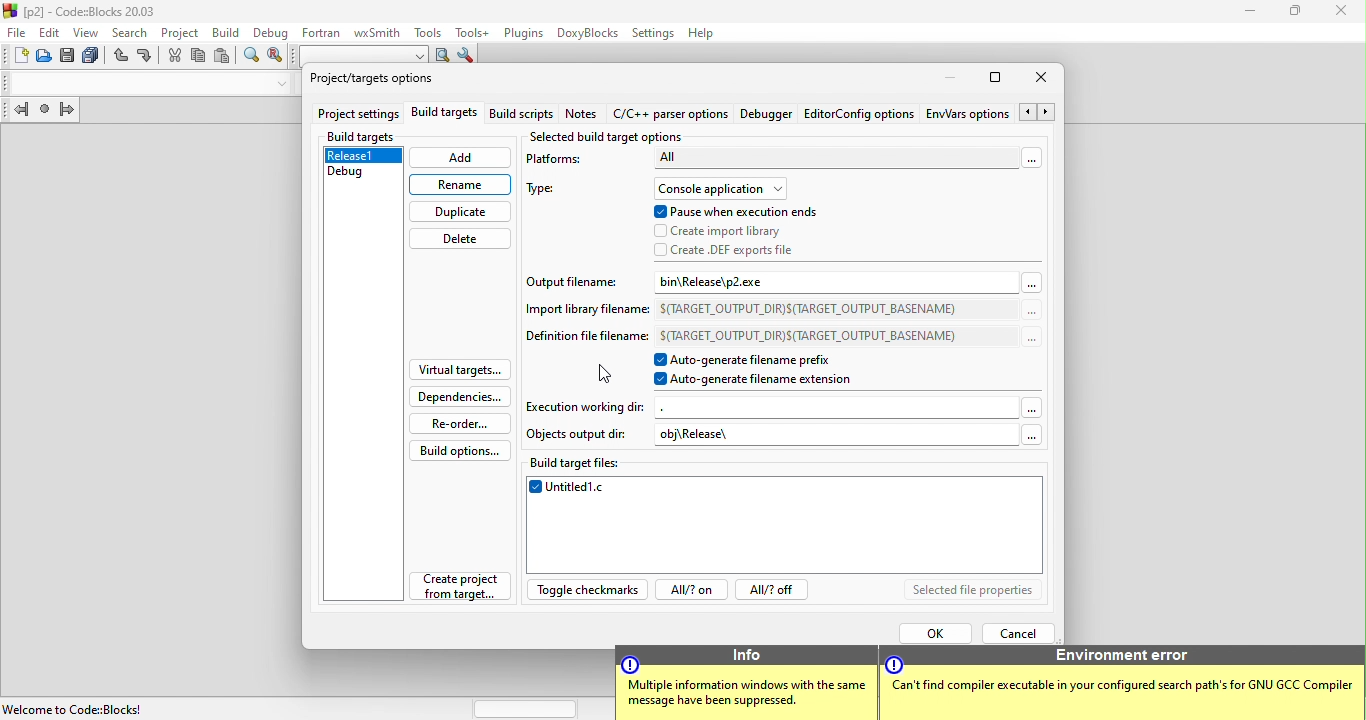 The height and width of the screenshot is (720, 1366). What do you see at coordinates (707, 33) in the screenshot?
I see `help` at bounding box center [707, 33].